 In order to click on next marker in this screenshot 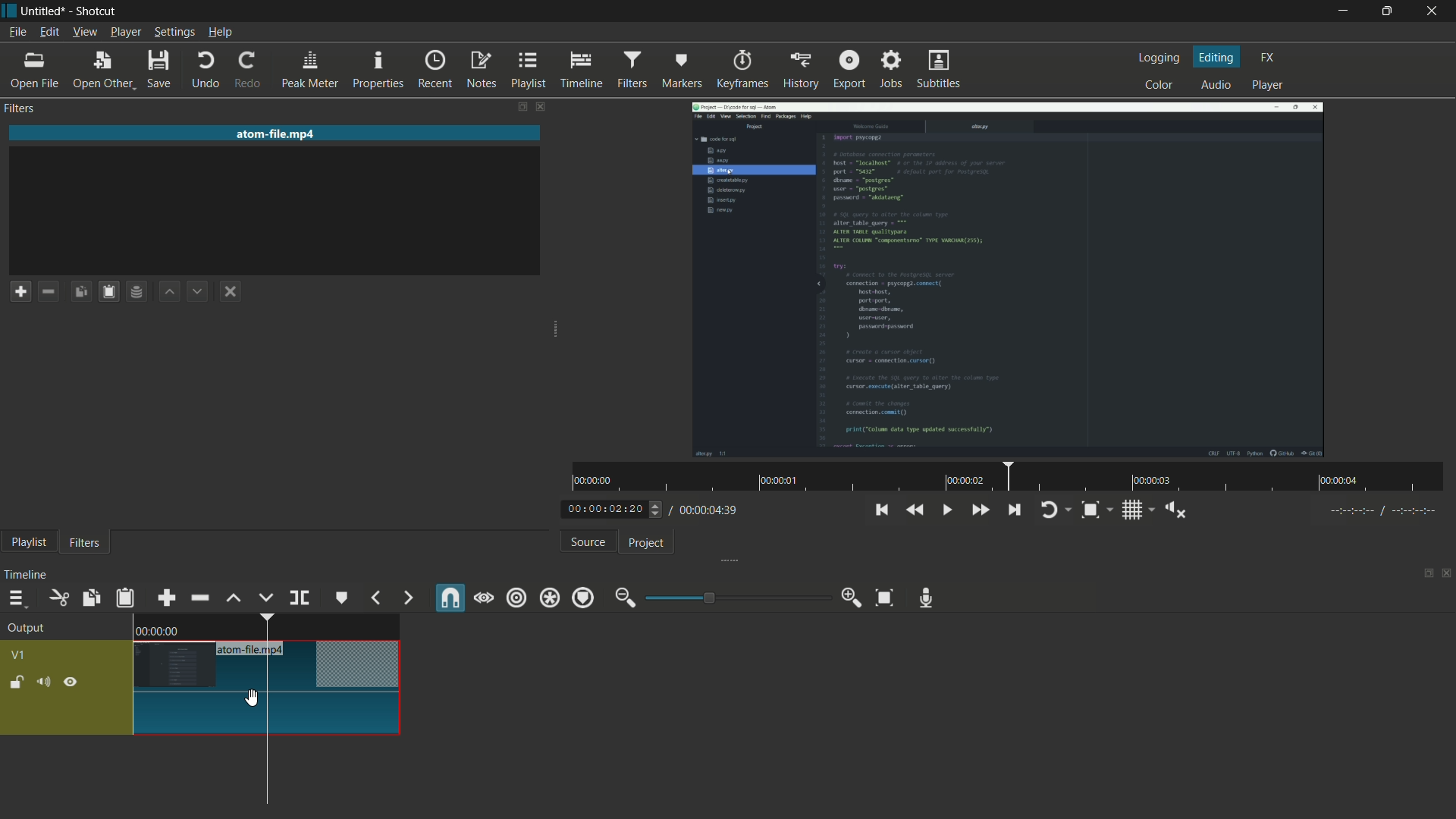, I will do `click(406, 598)`.